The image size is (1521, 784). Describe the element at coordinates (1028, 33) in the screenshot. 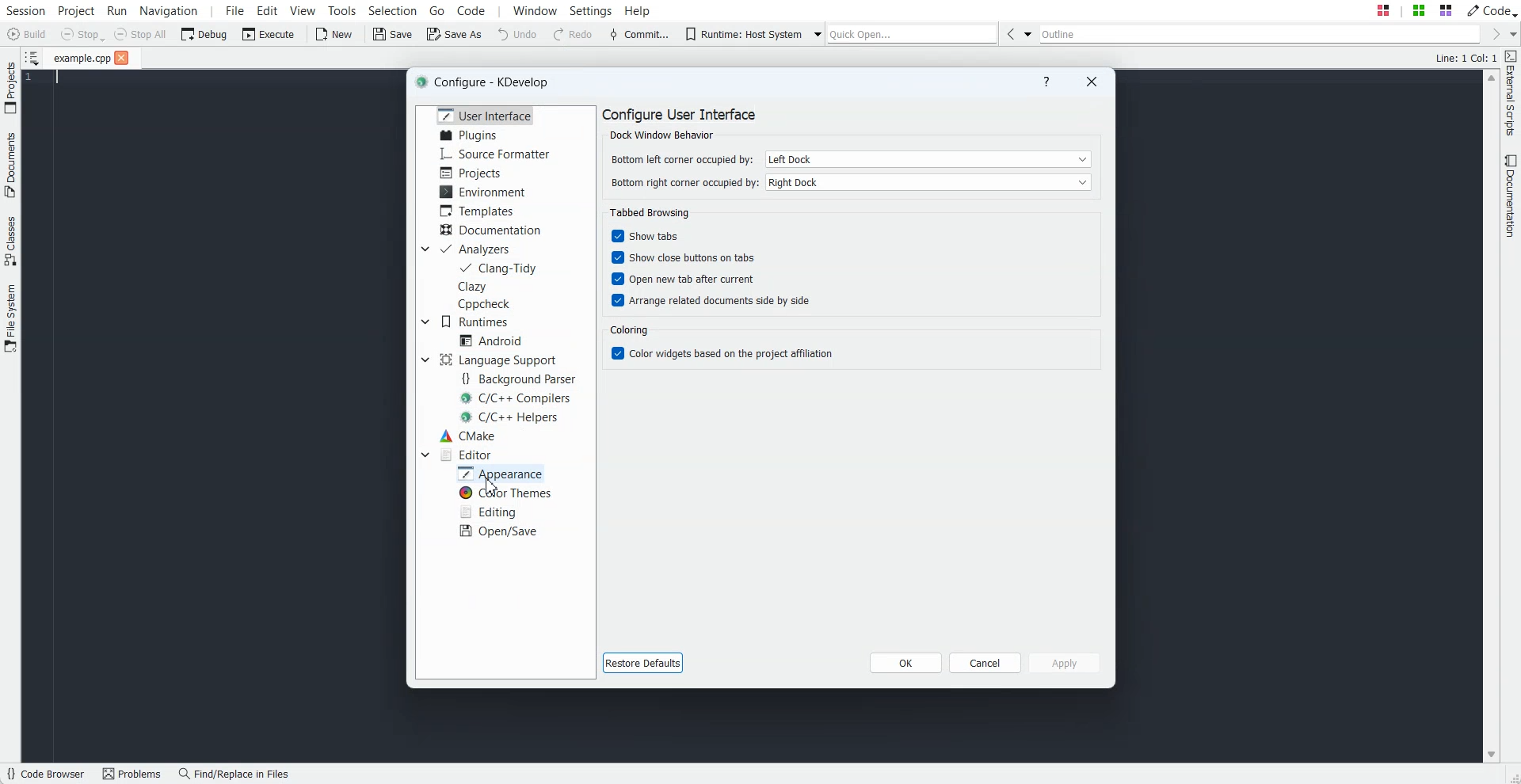

I see `Drop down box` at that location.